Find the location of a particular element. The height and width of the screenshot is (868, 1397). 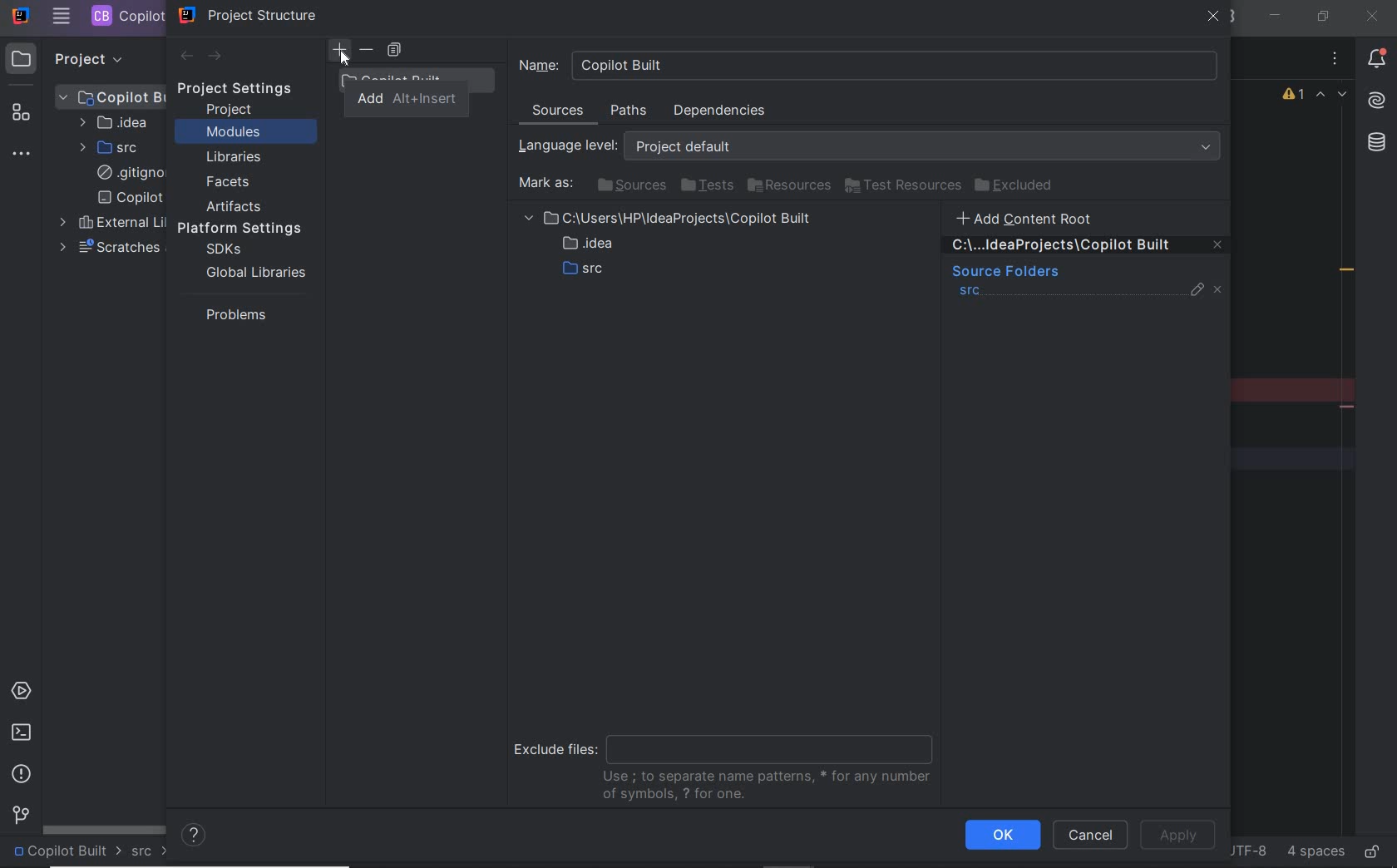

excluded is located at coordinates (1017, 185).